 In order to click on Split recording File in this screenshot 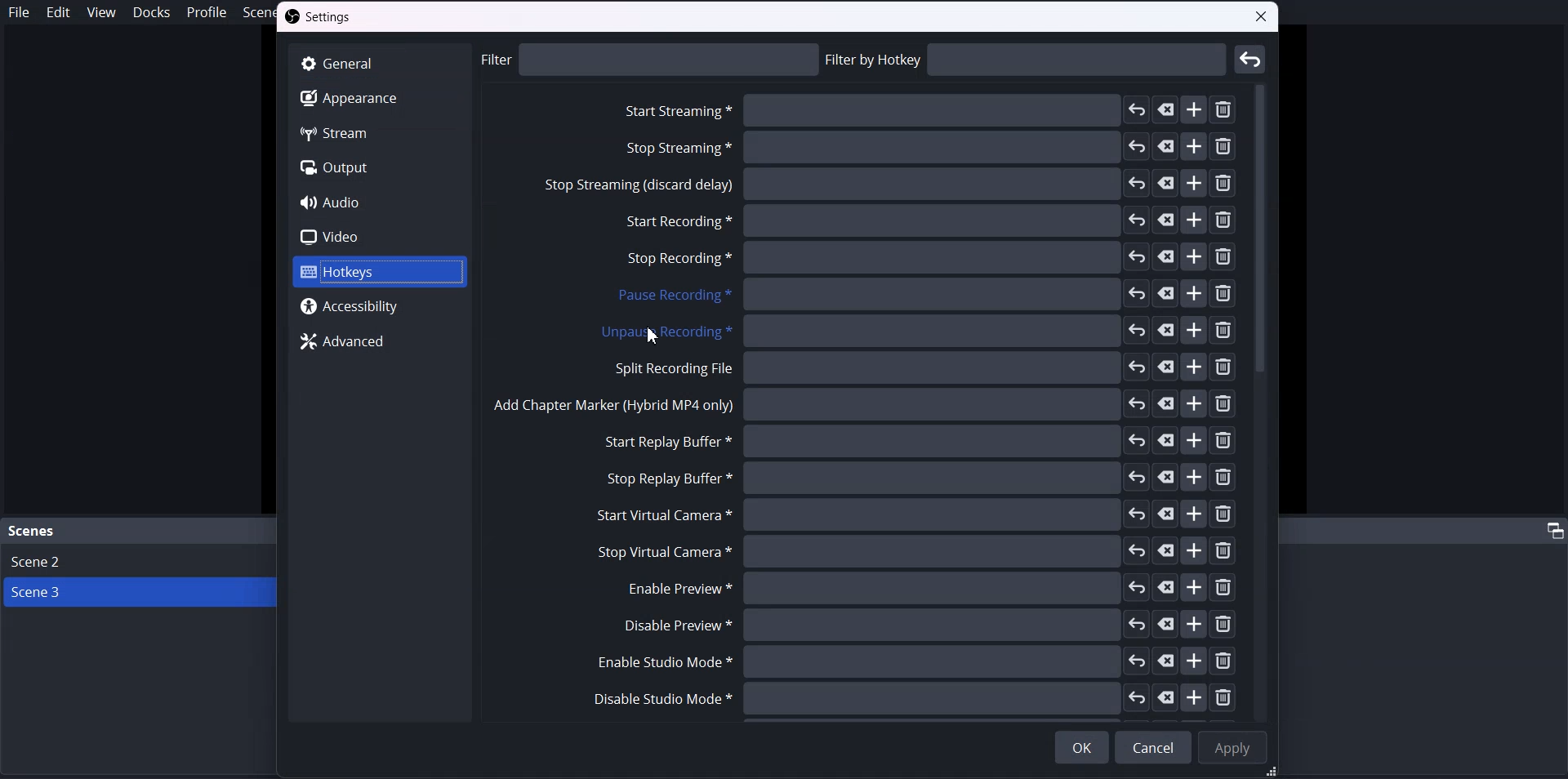, I will do `click(840, 366)`.